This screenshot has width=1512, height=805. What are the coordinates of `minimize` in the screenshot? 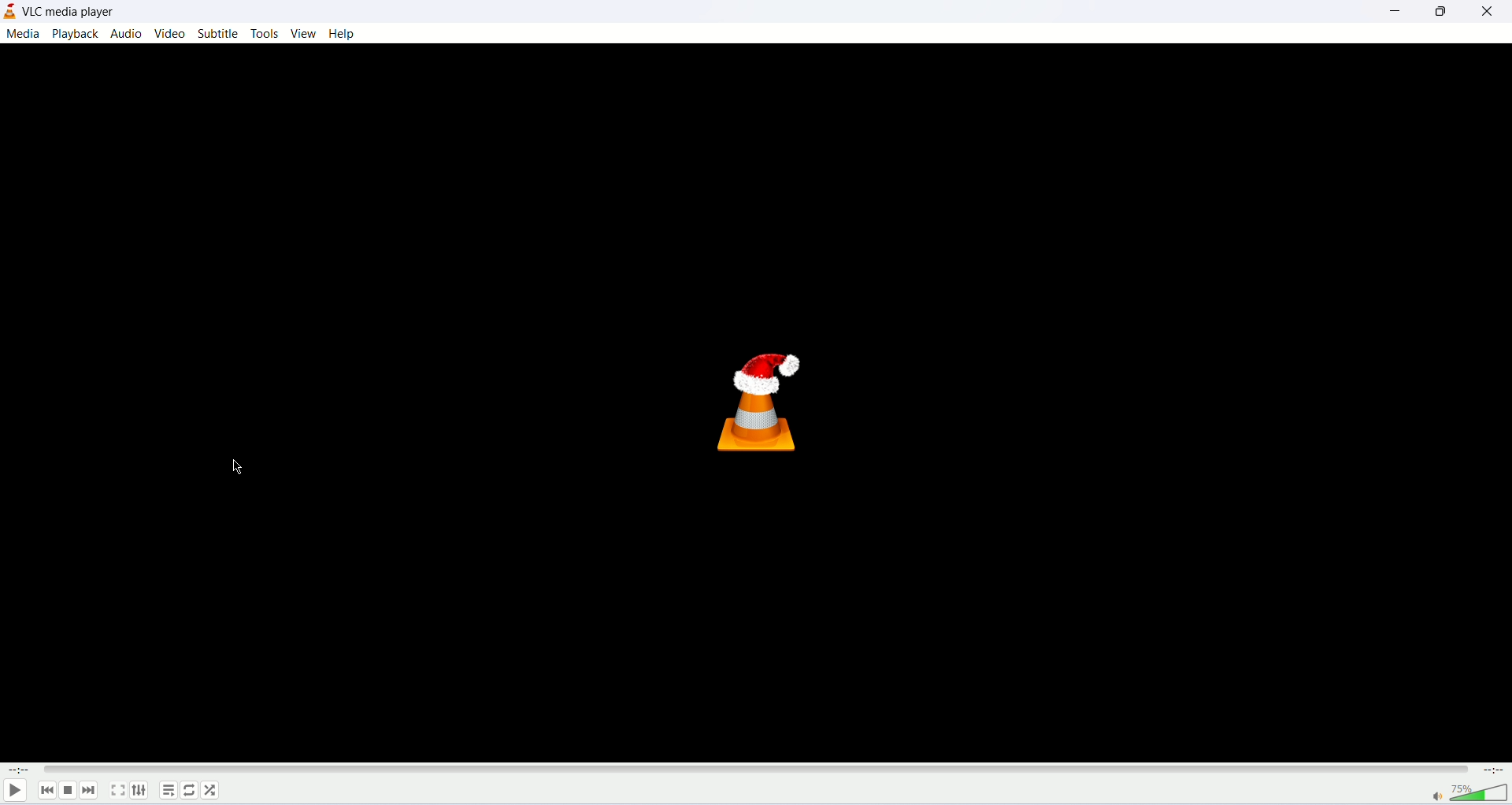 It's located at (1395, 12).